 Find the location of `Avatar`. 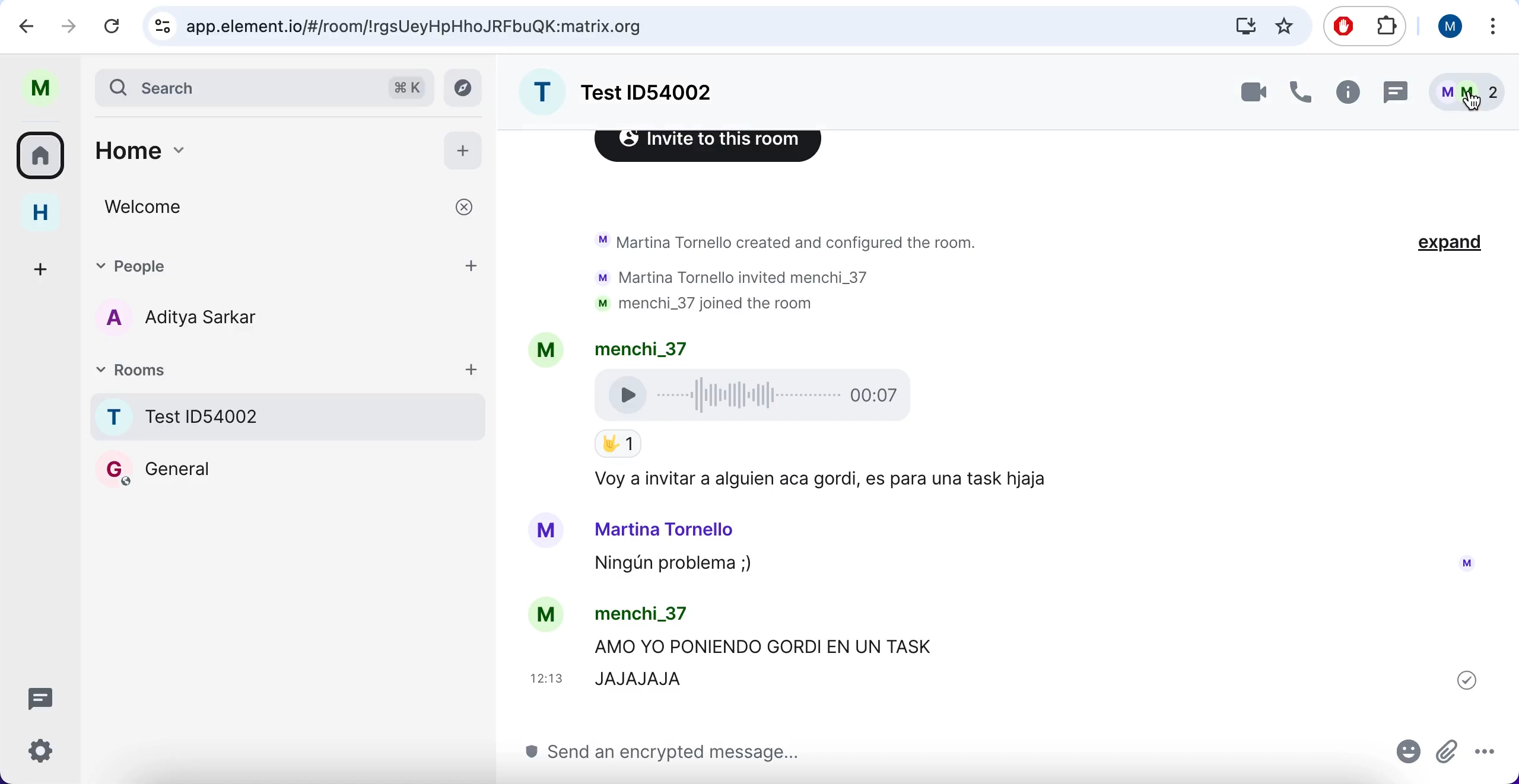

Avatar is located at coordinates (546, 534).